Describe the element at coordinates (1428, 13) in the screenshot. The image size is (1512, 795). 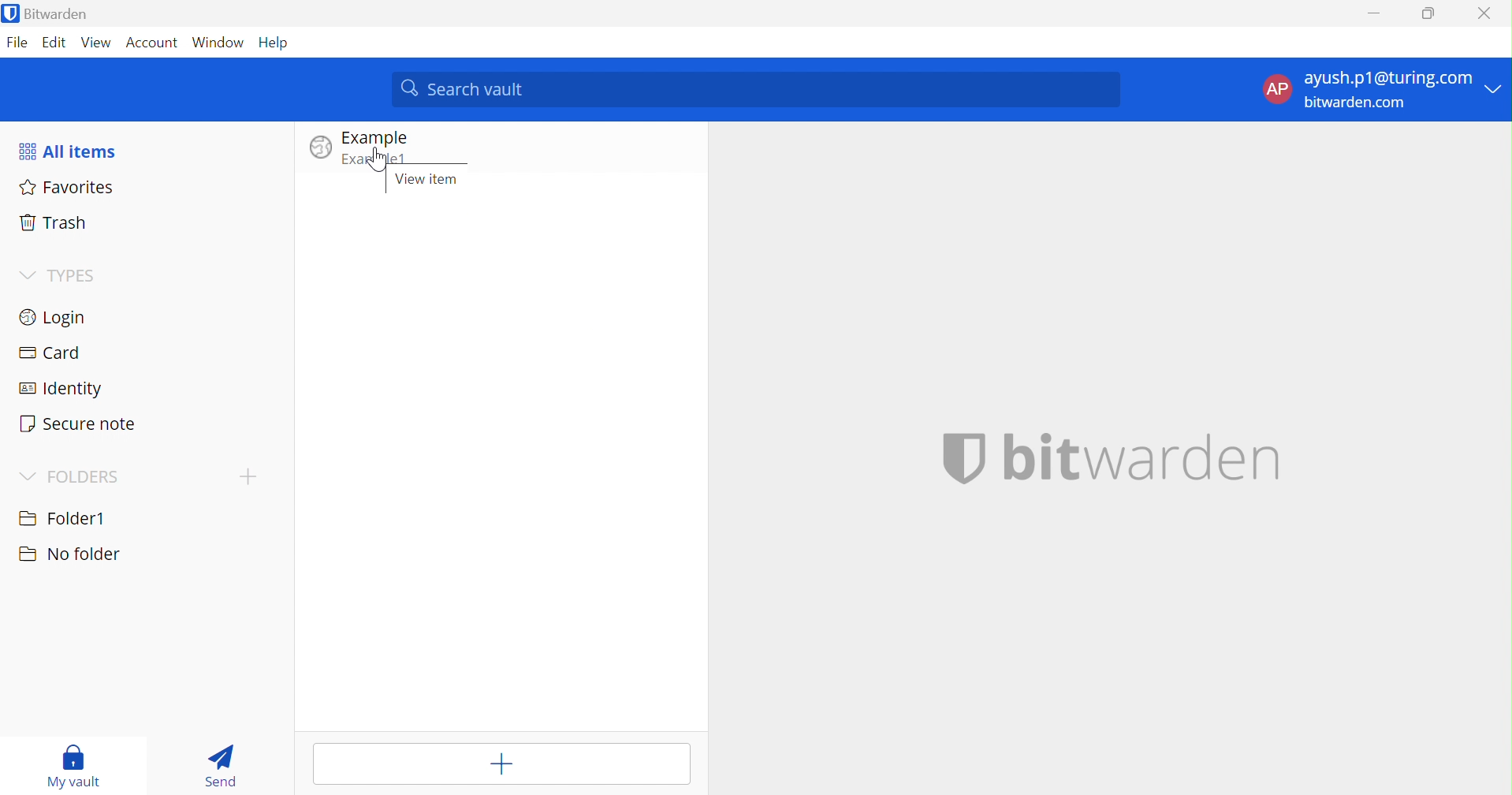
I see `Restore Down` at that location.